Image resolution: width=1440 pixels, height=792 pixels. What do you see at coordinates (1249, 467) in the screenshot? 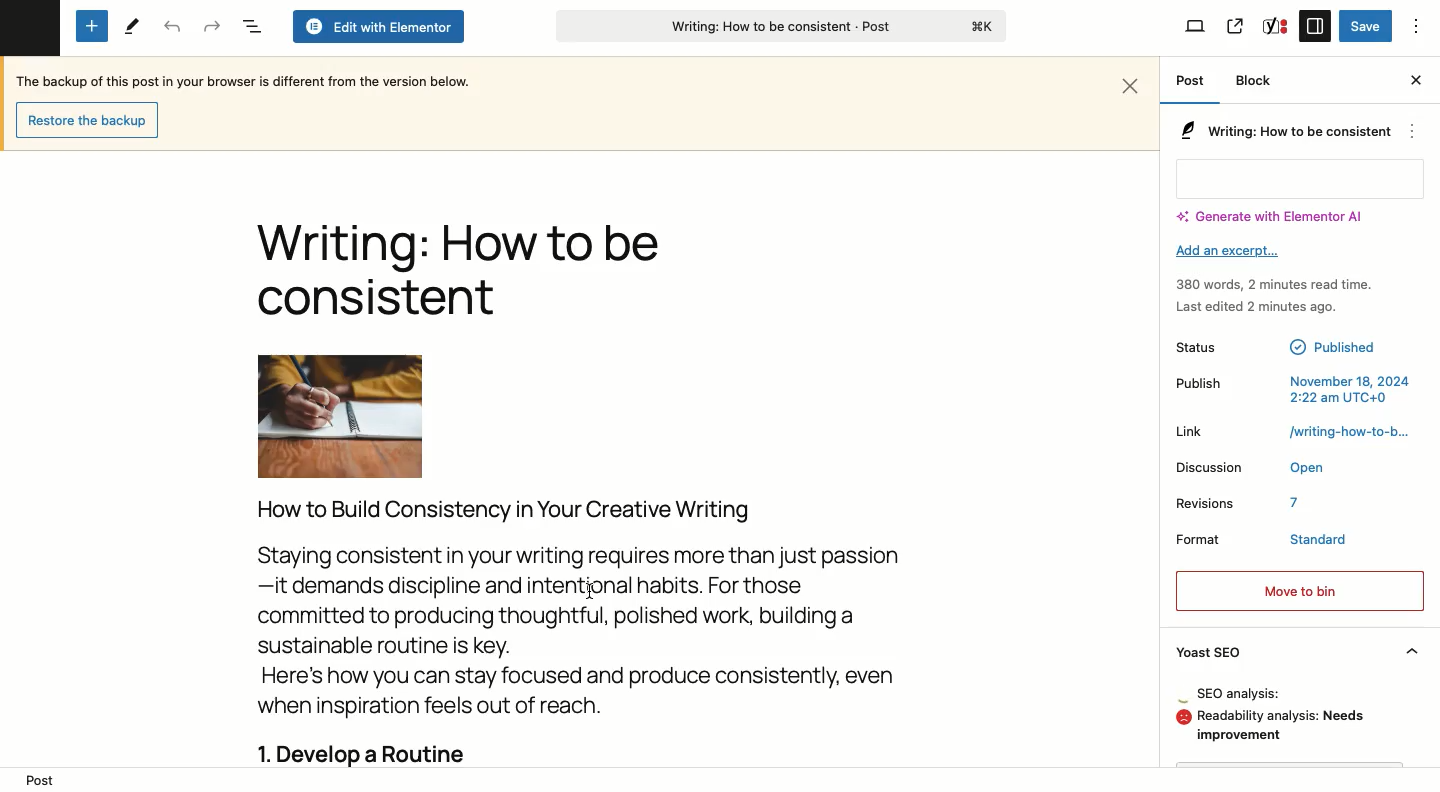
I see `Discussion Open` at bounding box center [1249, 467].